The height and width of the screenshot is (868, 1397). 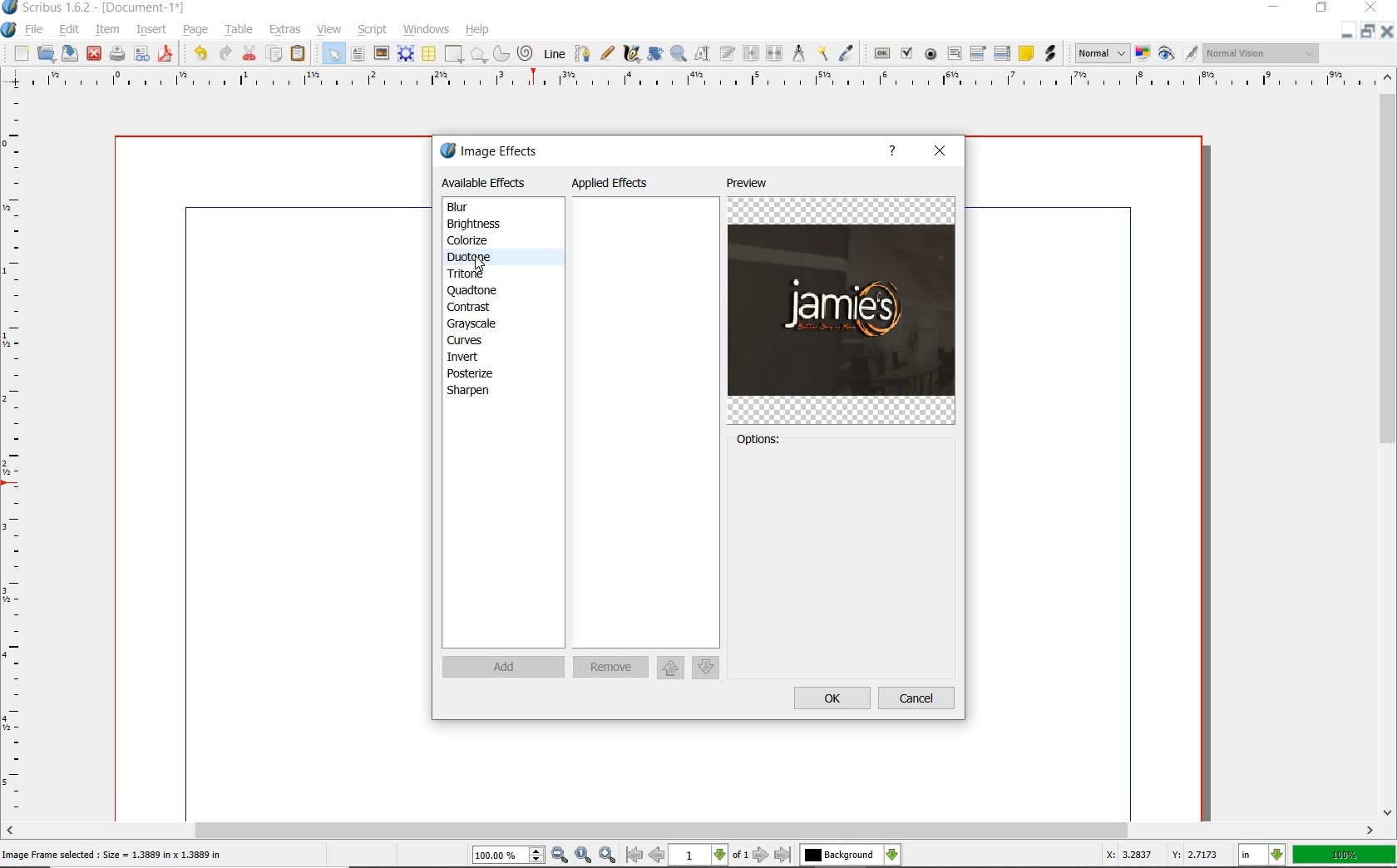 I want to click on calligraphic line, so click(x=634, y=55).